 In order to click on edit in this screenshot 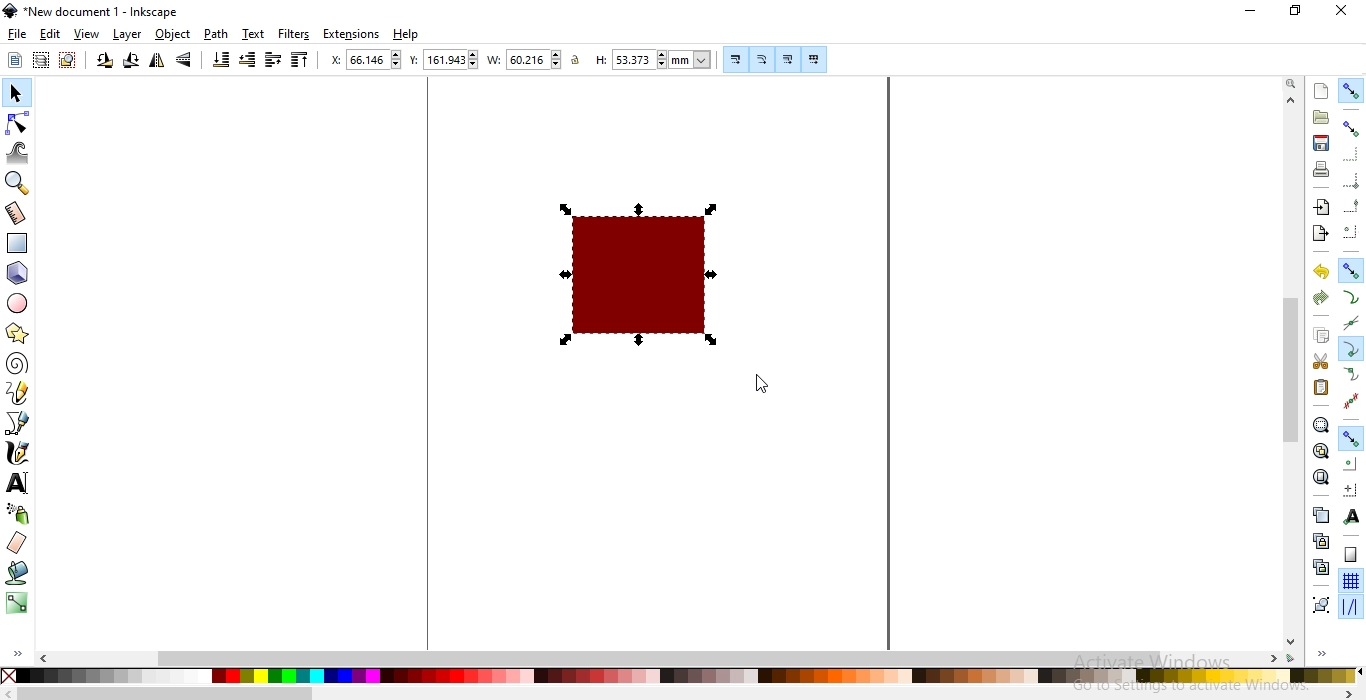, I will do `click(50, 33)`.